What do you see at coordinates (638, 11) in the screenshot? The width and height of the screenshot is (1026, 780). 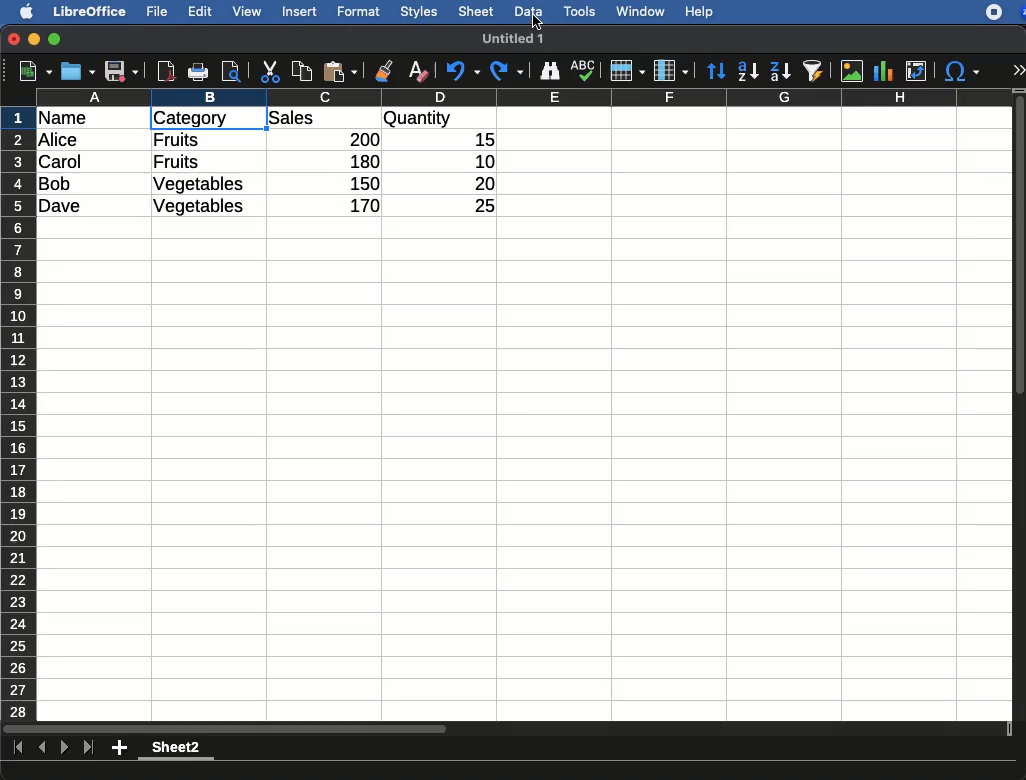 I see `window` at bounding box center [638, 11].